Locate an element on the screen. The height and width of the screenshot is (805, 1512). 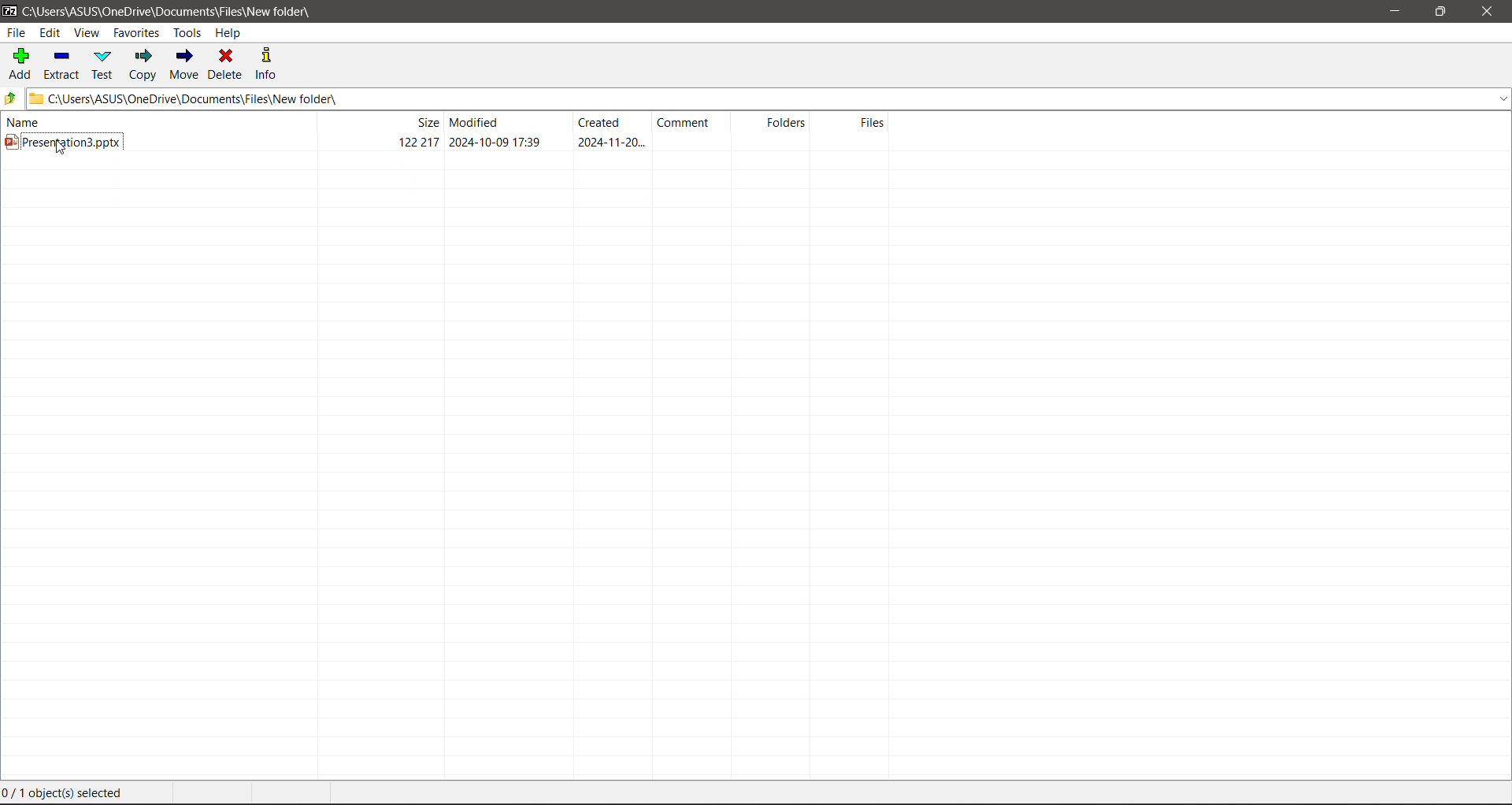
Folders is located at coordinates (777, 122).